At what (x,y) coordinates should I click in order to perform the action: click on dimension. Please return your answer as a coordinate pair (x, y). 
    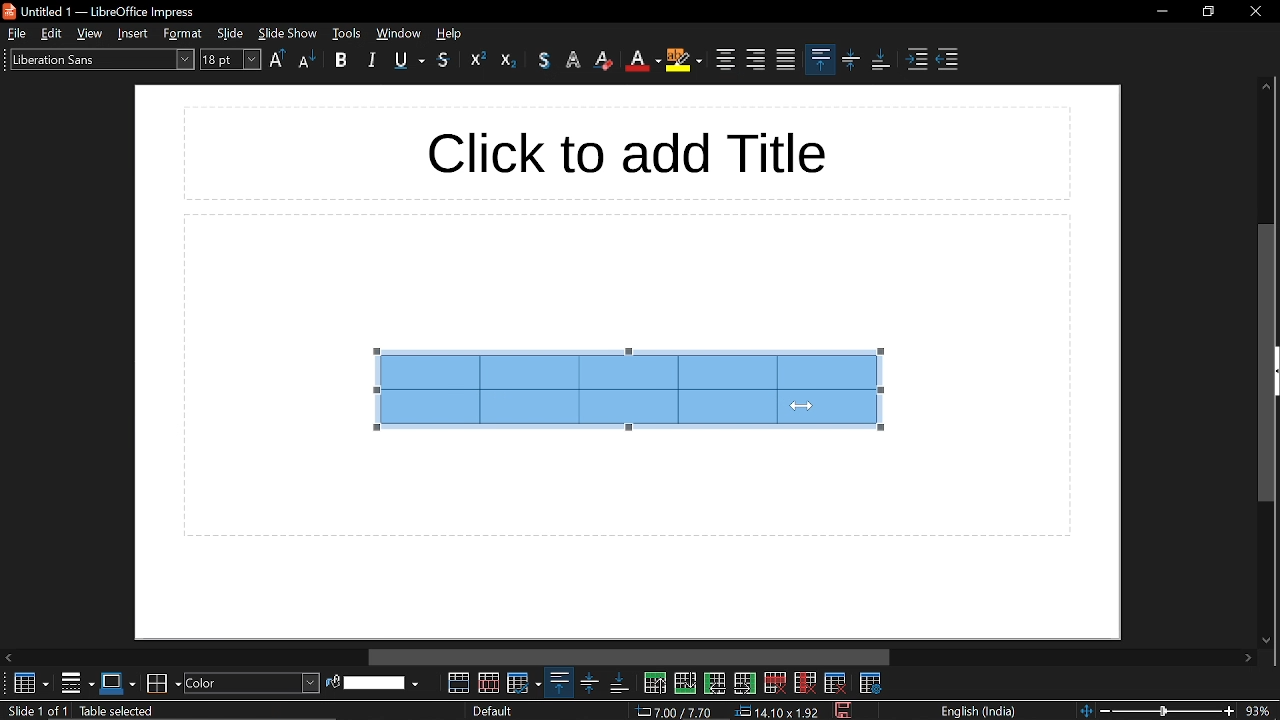
    Looking at the image, I should click on (777, 712).